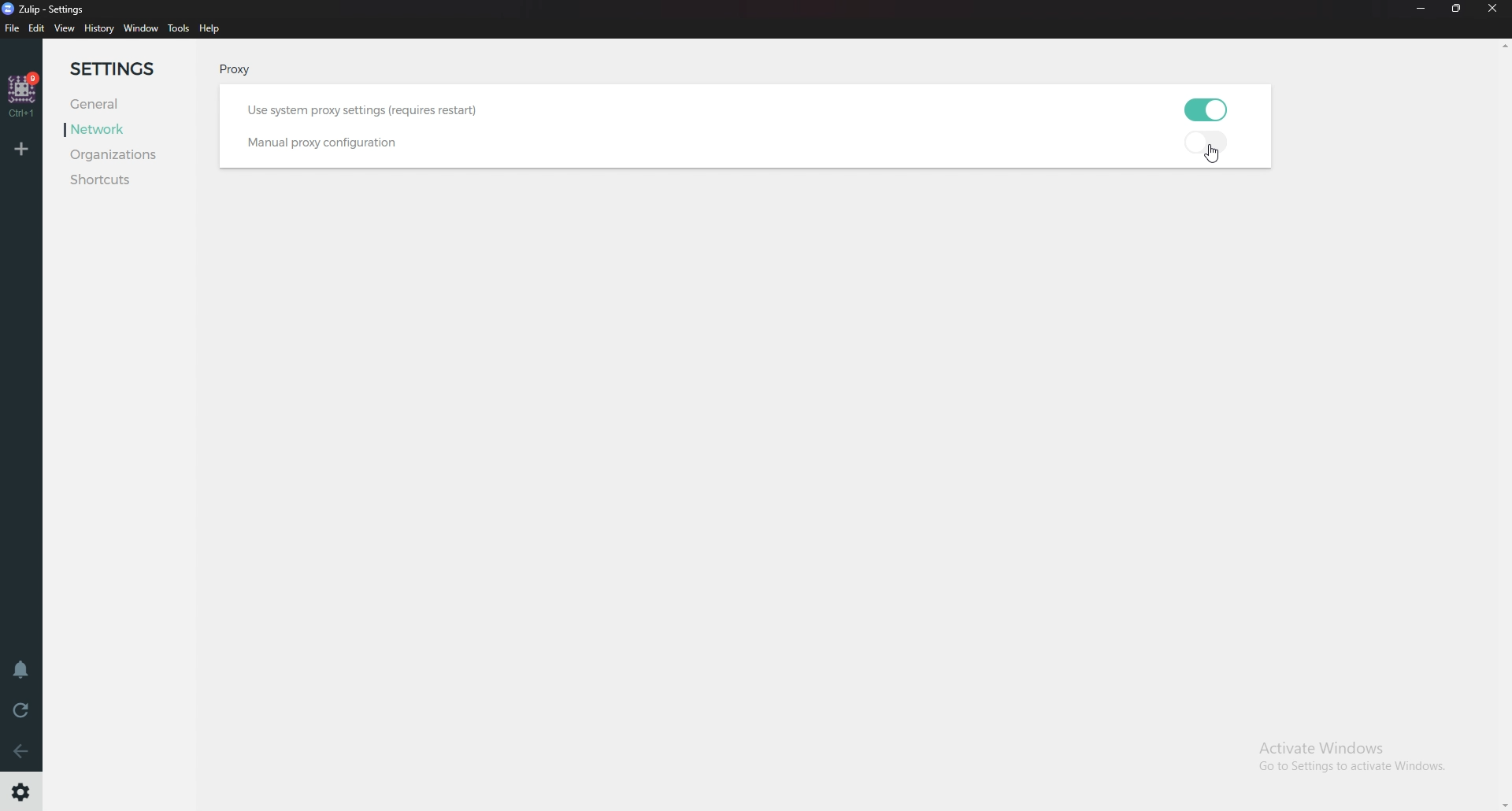 This screenshot has height=811, width=1512. Describe the element at coordinates (114, 129) in the screenshot. I see `Network` at that location.